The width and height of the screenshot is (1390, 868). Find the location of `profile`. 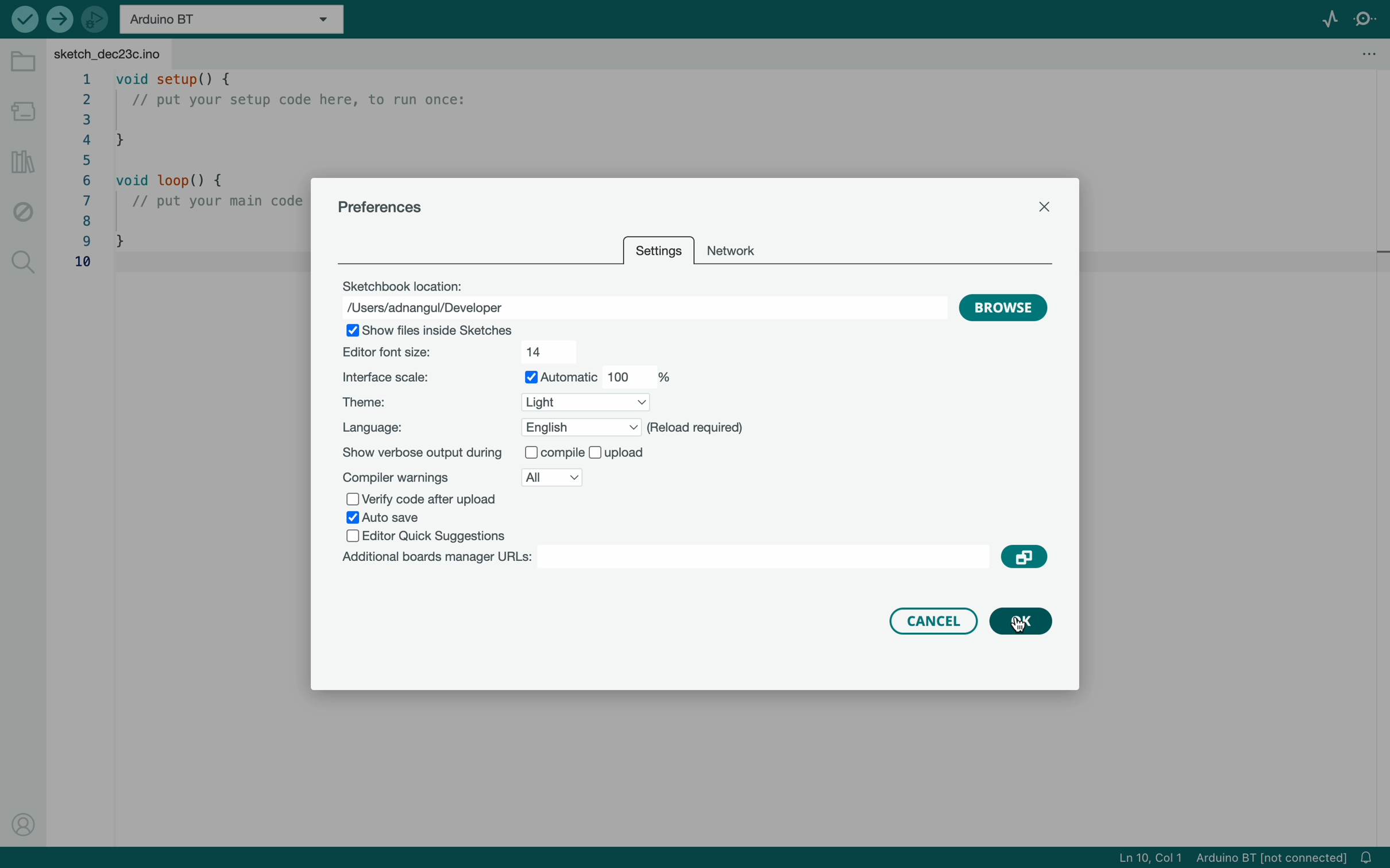

profile is located at coordinates (27, 824).